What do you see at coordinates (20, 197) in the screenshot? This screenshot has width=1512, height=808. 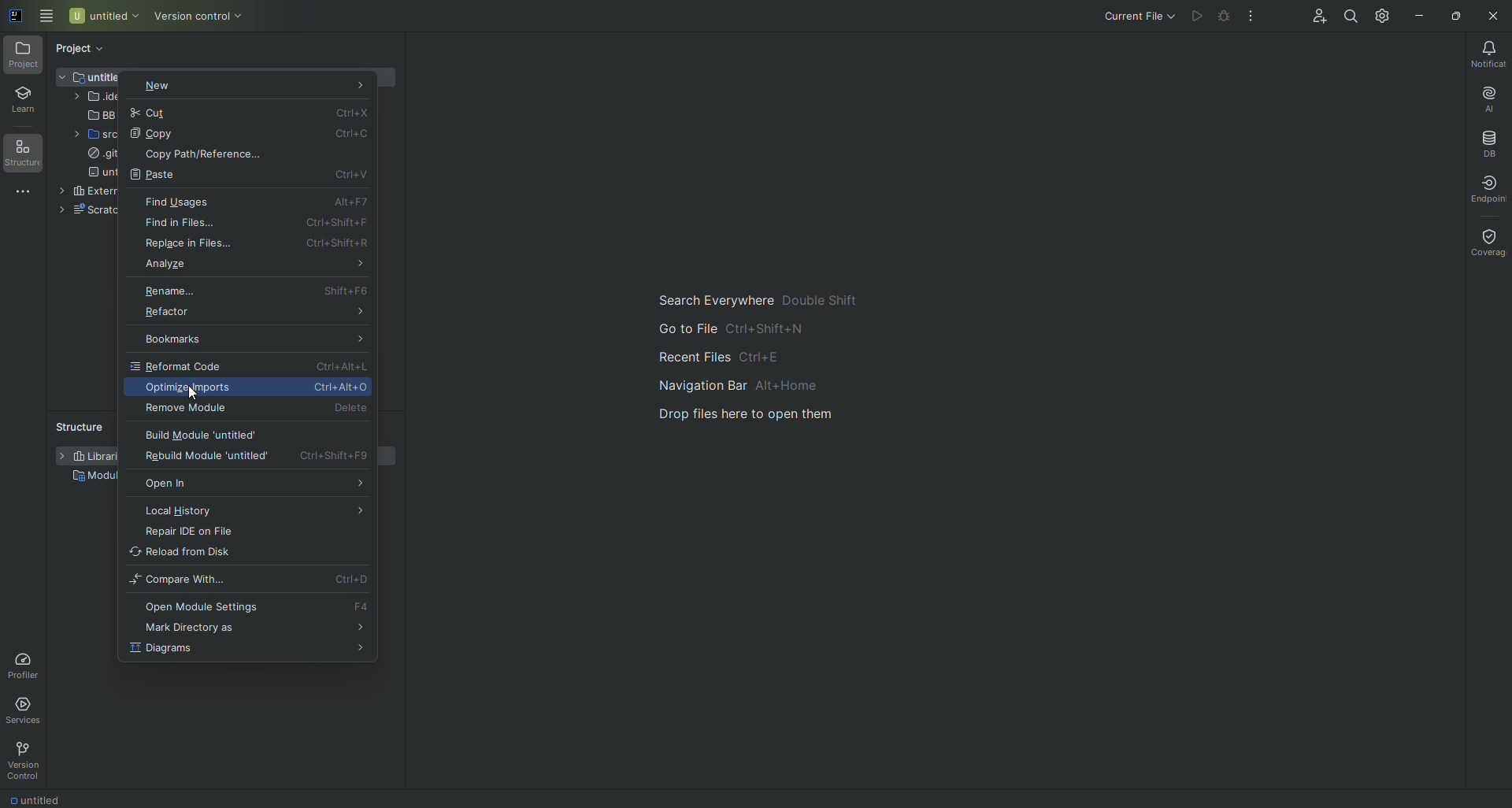 I see `More Tools` at bounding box center [20, 197].